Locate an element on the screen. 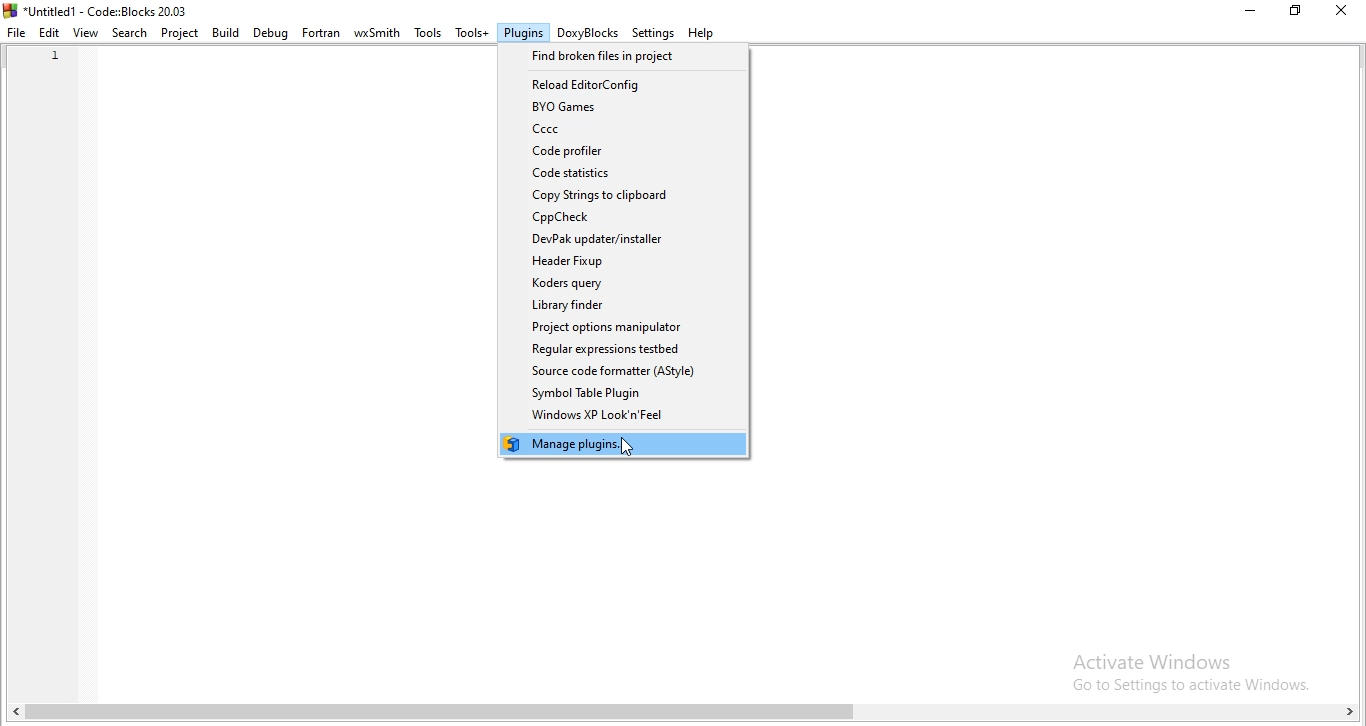 Image resolution: width=1366 pixels, height=726 pixels. Help is located at coordinates (702, 32).